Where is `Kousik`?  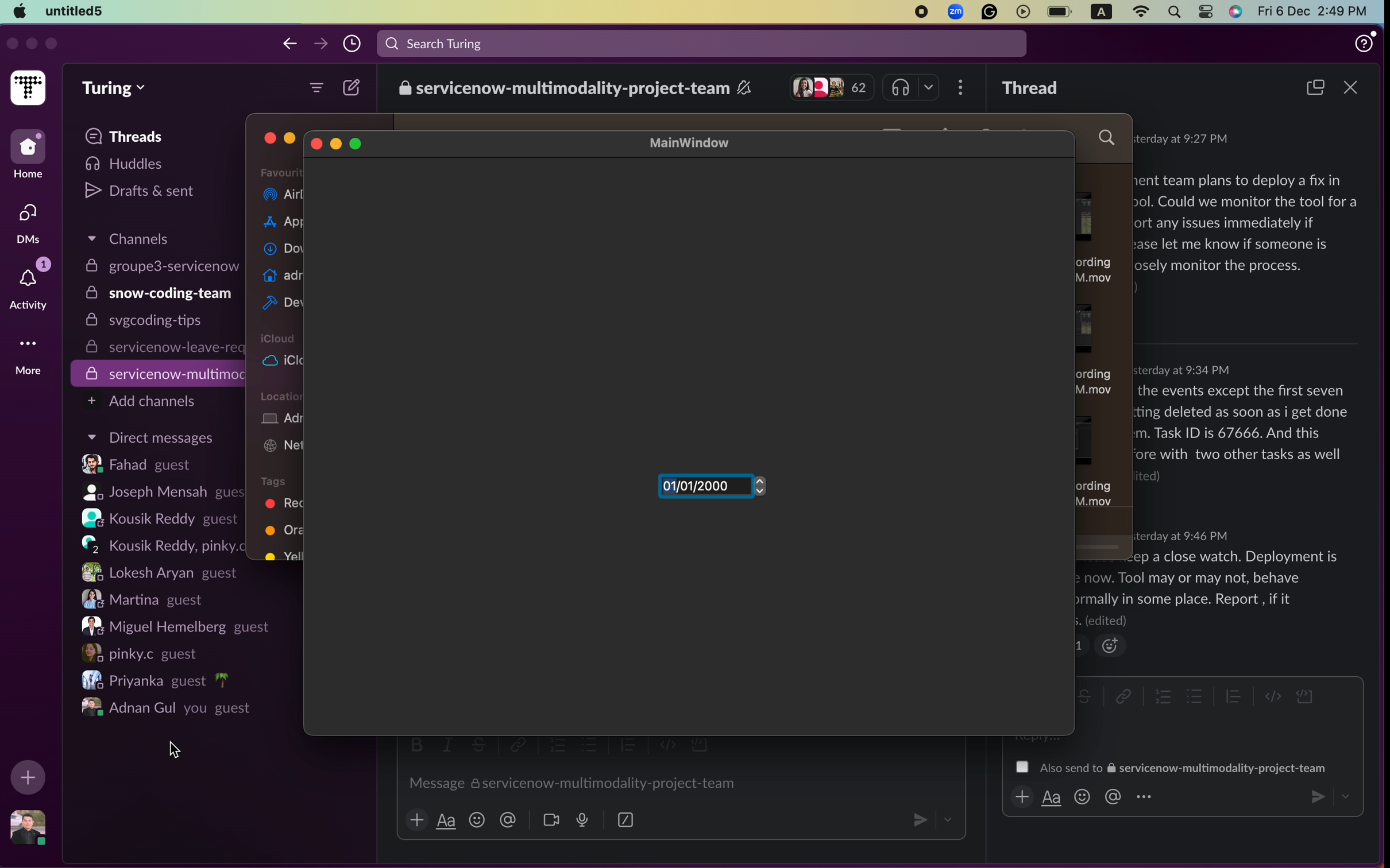
Kousik is located at coordinates (156, 517).